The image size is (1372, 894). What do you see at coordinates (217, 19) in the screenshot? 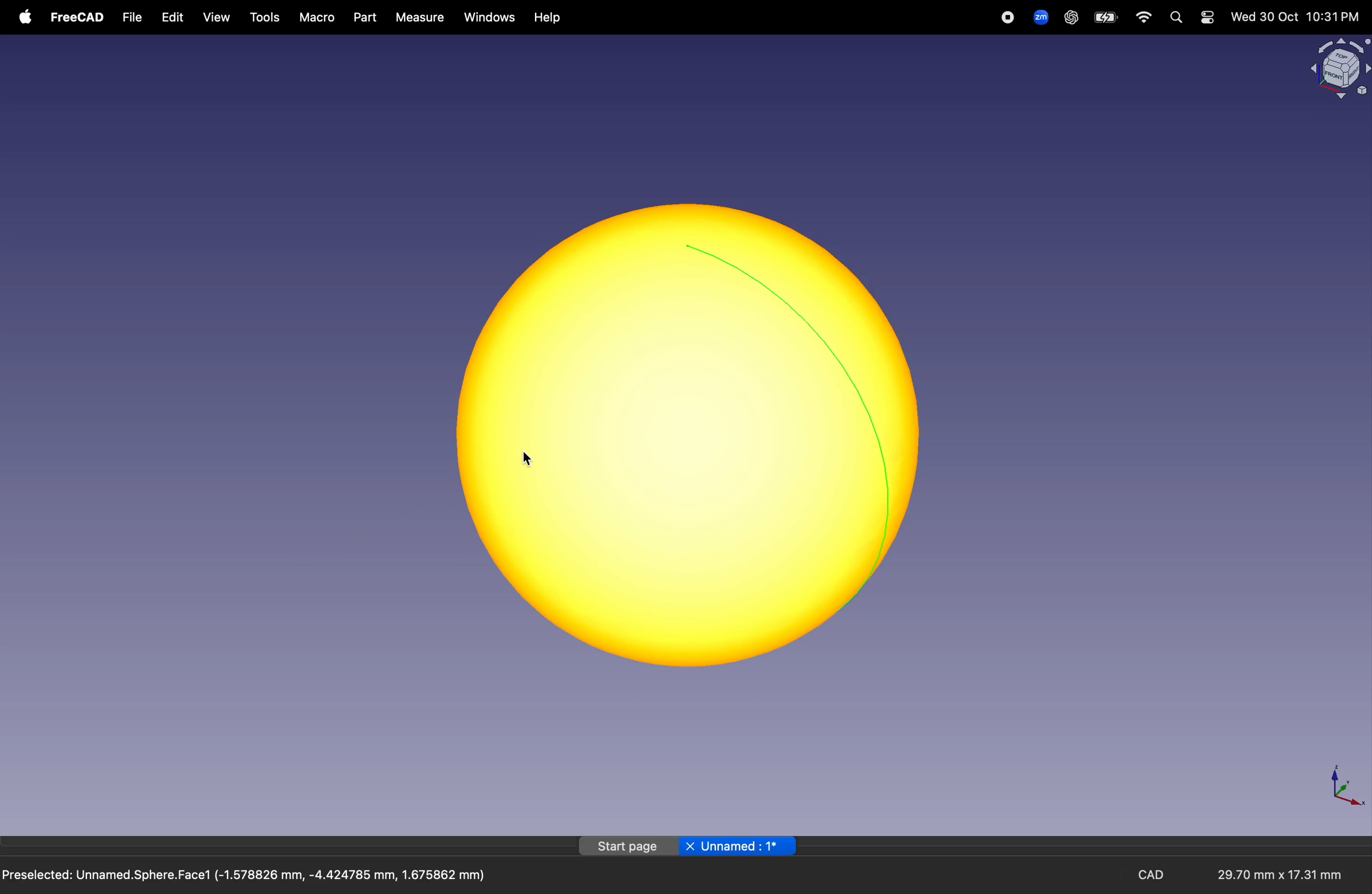
I see `view` at bounding box center [217, 19].